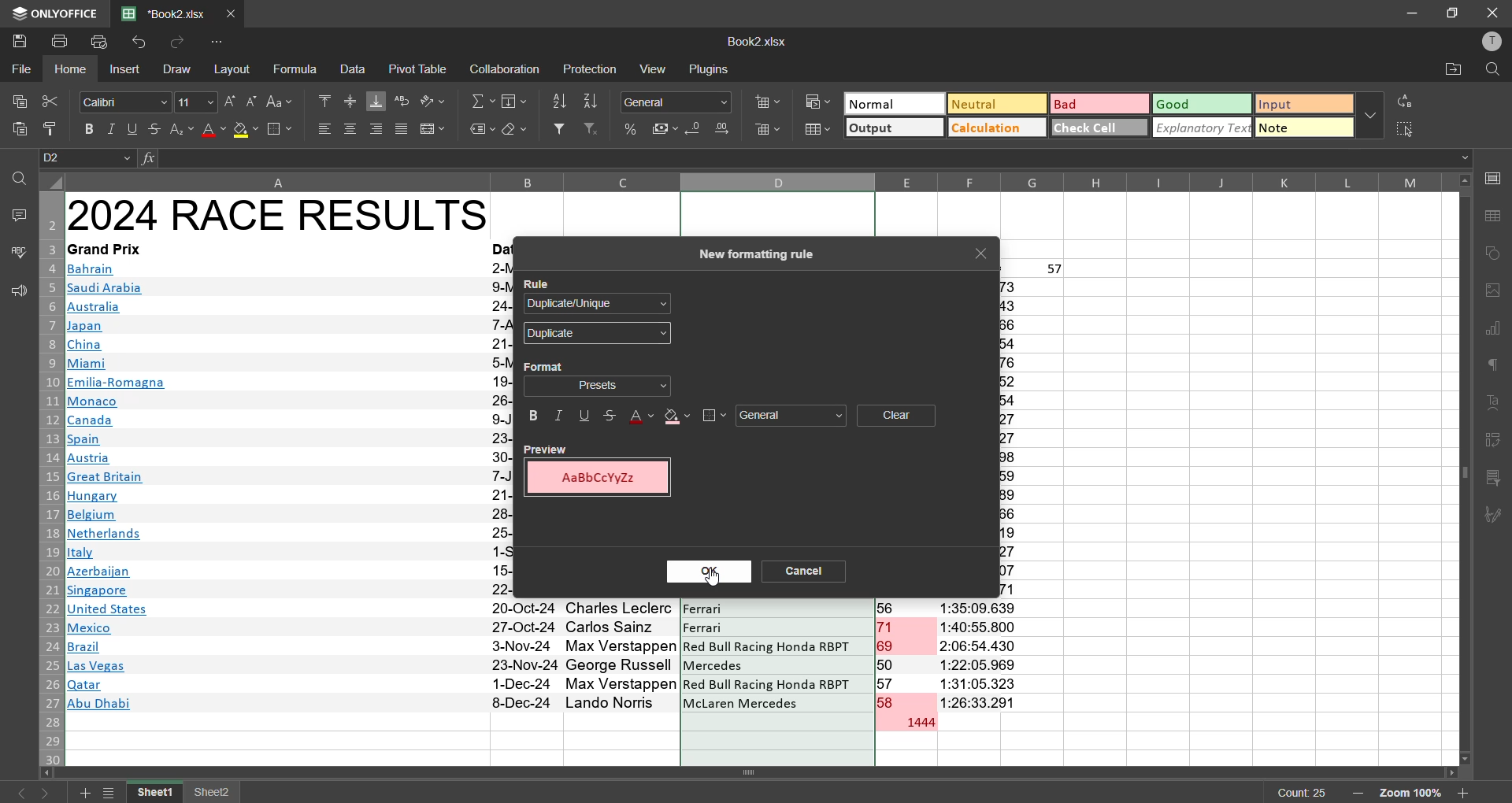  Describe the element at coordinates (639, 416) in the screenshot. I see `font color` at that location.